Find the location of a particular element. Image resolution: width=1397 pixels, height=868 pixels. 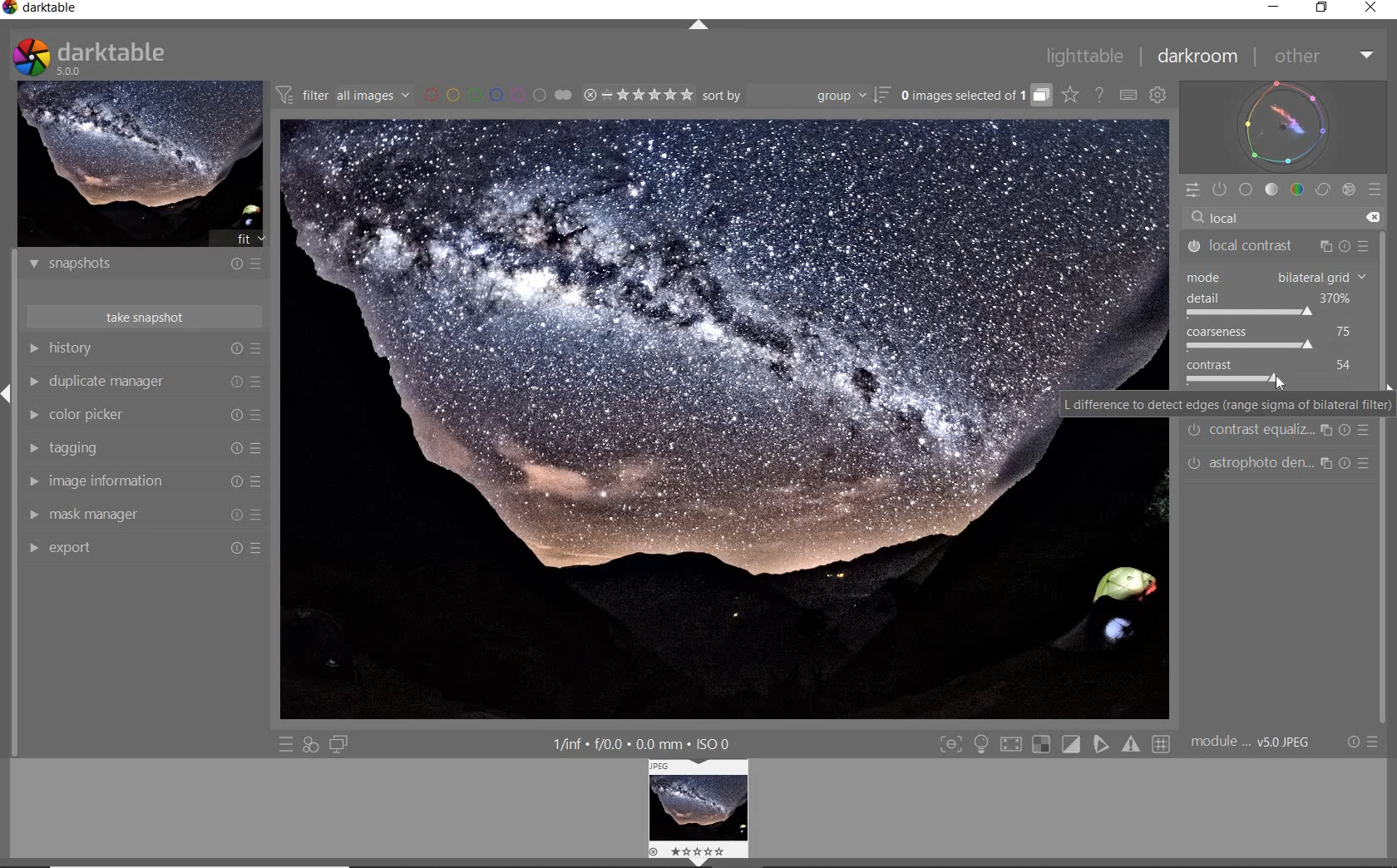

input value is located at coordinates (1284, 215).